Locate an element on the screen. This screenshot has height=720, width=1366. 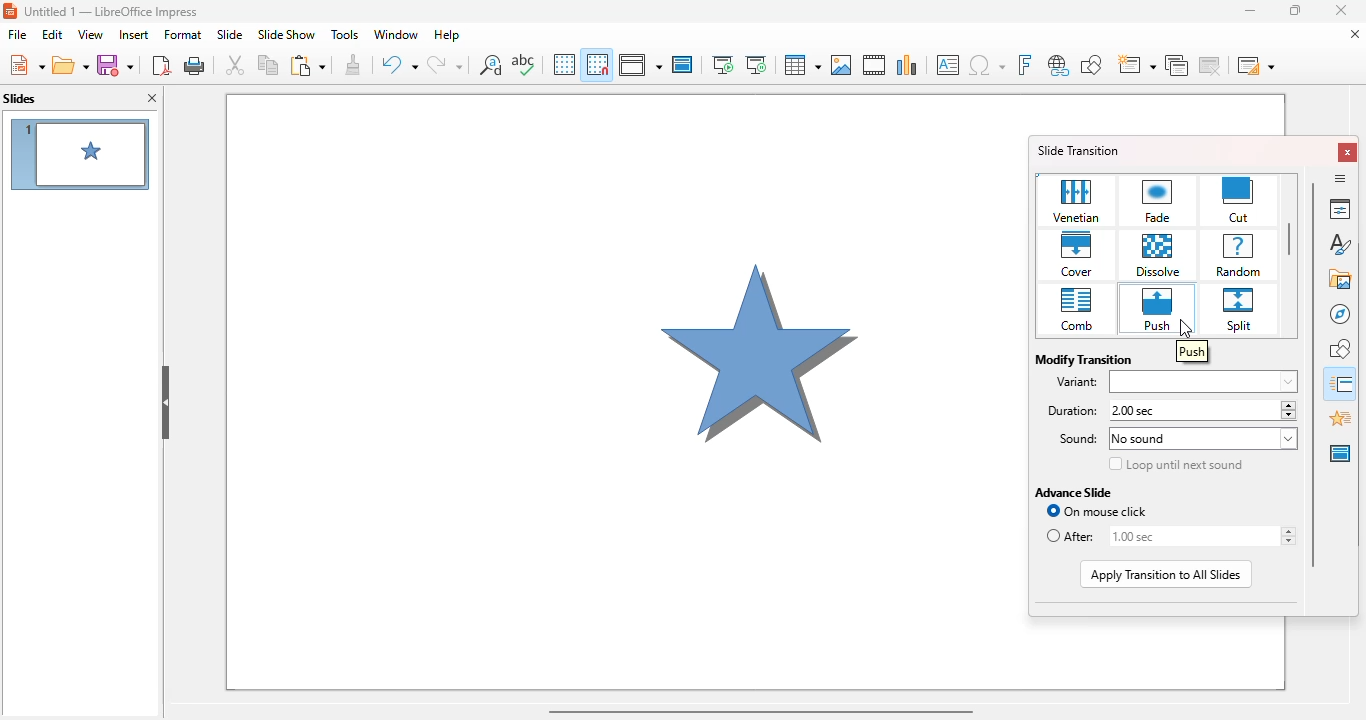
2.00 sec is located at coordinates (1194, 411).